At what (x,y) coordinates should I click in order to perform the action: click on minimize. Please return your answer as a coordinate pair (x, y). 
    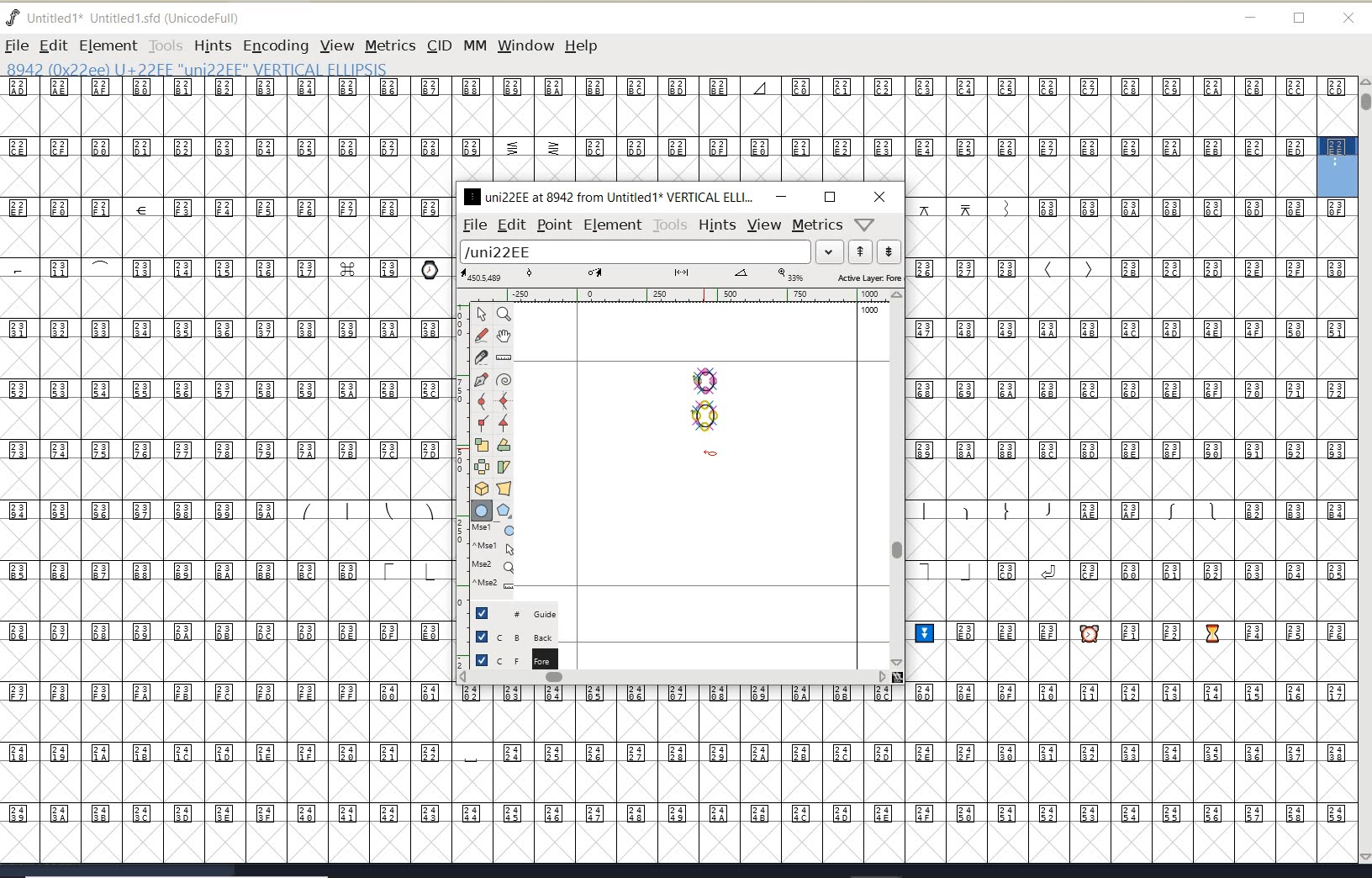
    Looking at the image, I should click on (781, 196).